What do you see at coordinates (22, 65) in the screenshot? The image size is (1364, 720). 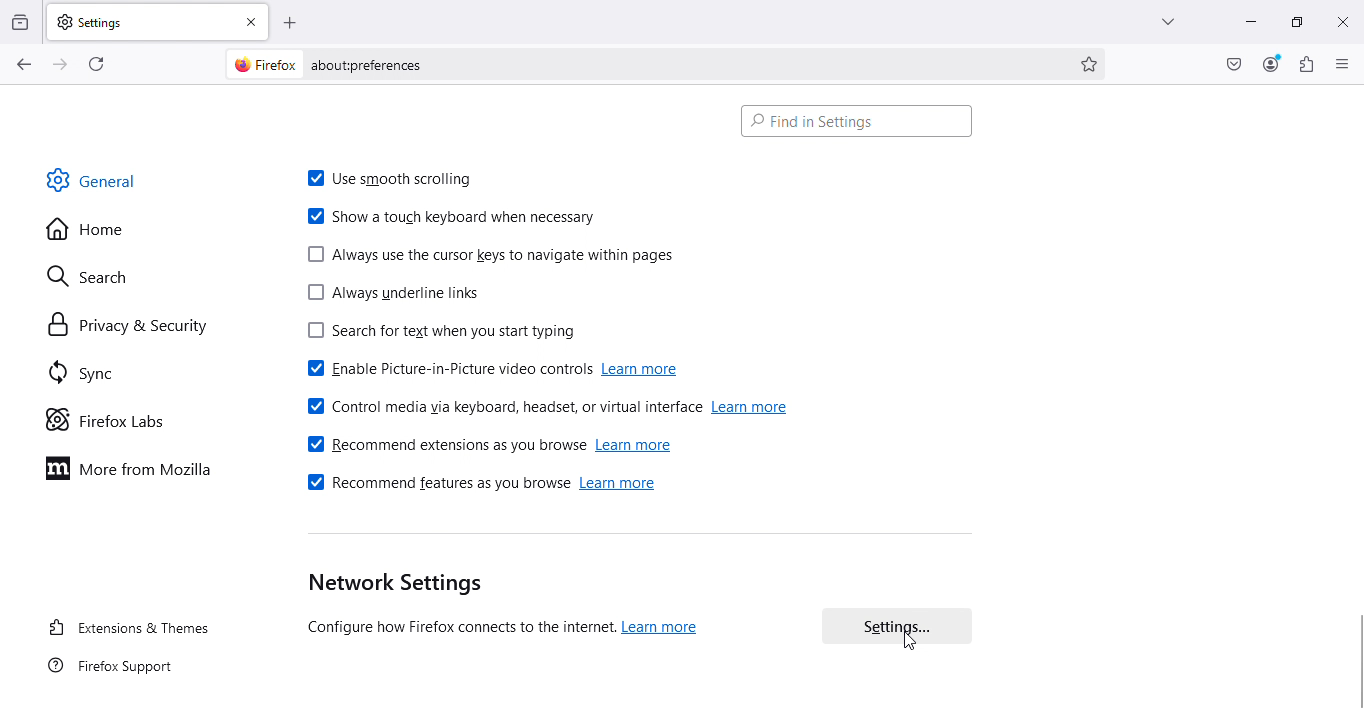 I see `Go back one page` at bounding box center [22, 65].